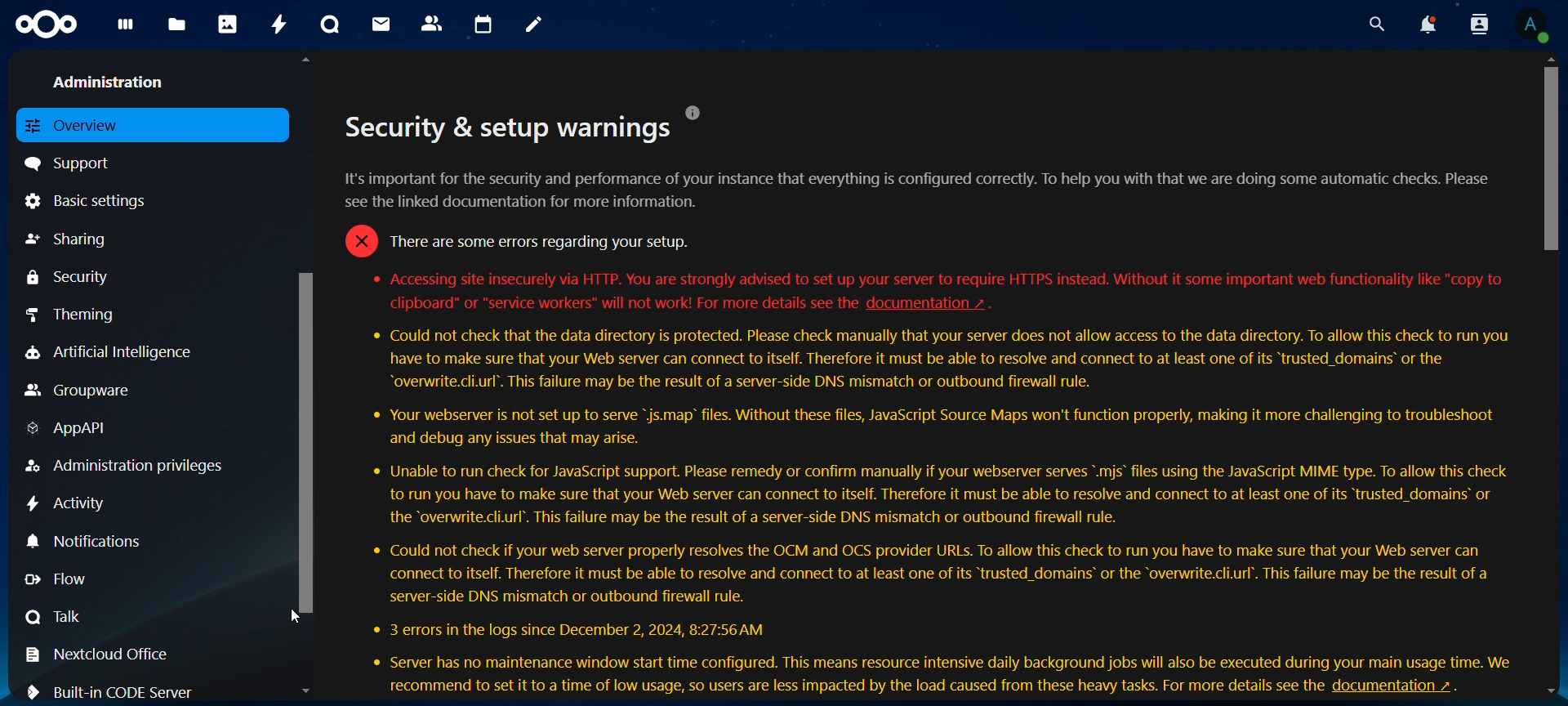 Image resolution: width=1568 pixels, height=706 pixels. Describe the element at coordinates (107, 655) in the screenshot. I see `nextcloud office` at that location.